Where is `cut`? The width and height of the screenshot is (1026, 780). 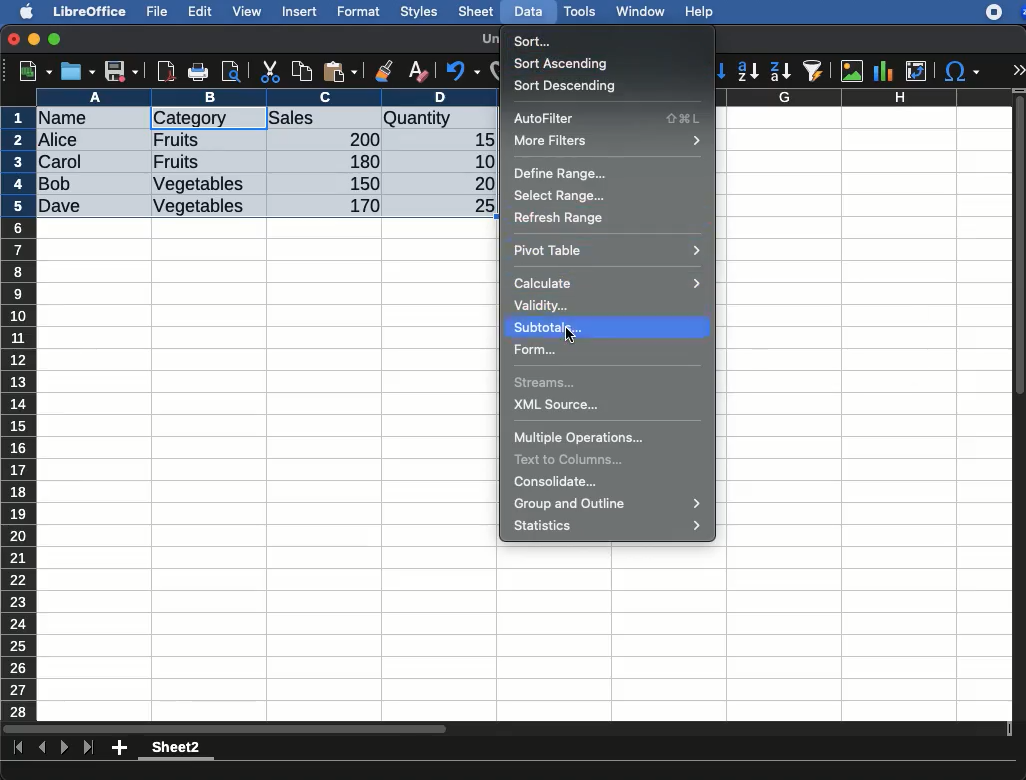
cut is located at coordinates (271, 71).